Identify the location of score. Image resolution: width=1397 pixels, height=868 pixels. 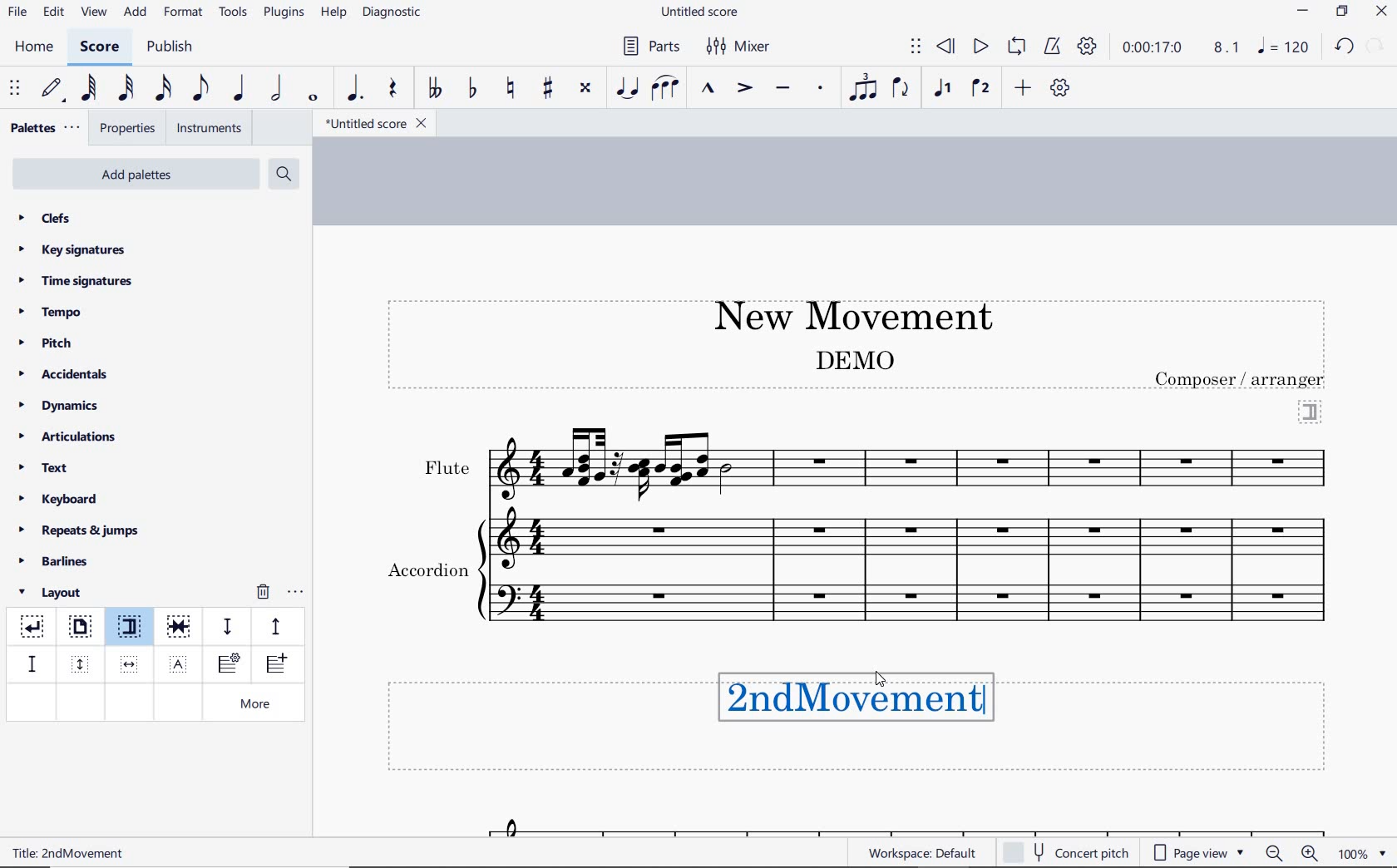
(100, 49).